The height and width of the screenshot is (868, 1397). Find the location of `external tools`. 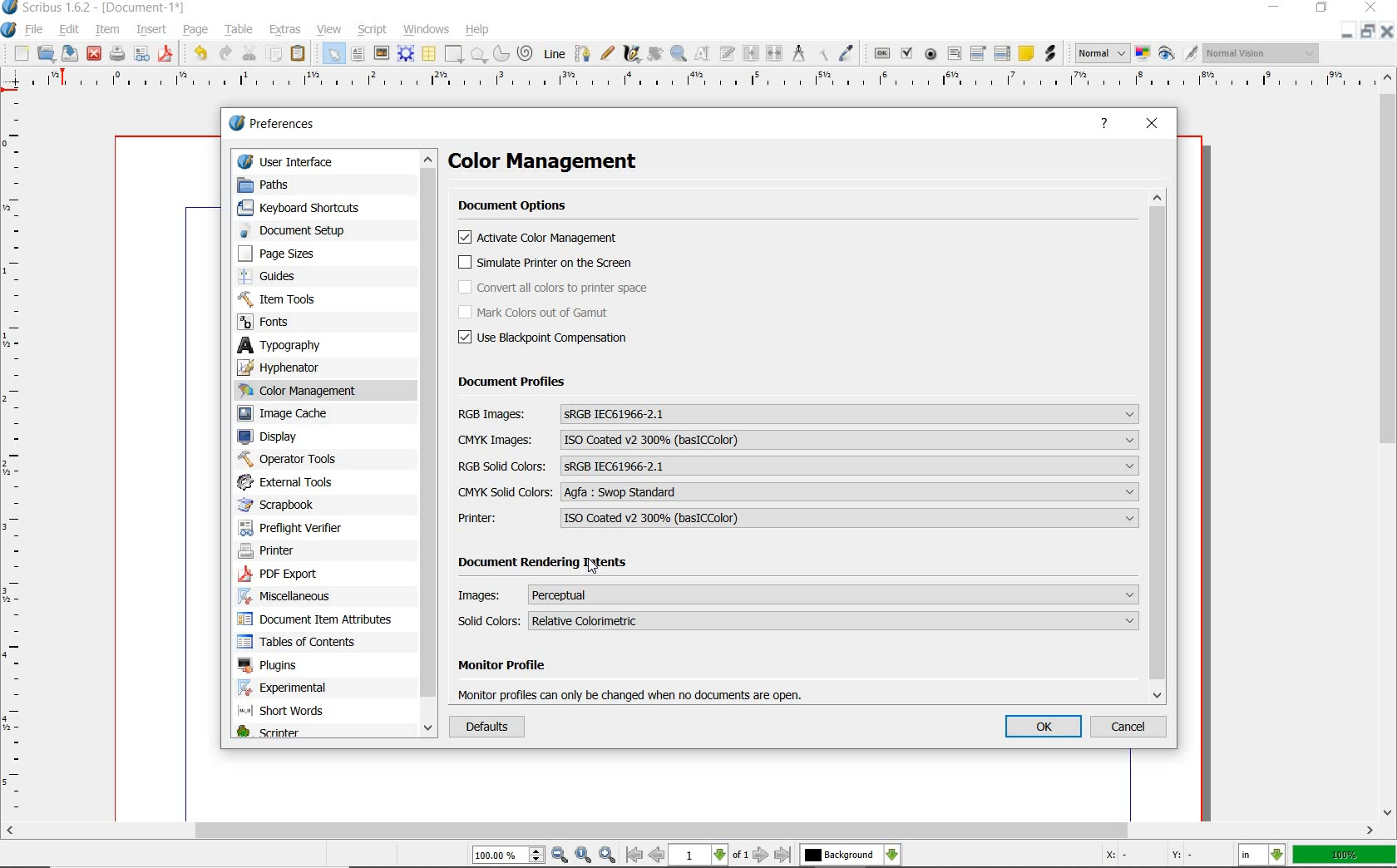

external tools is located at coordinates (290, 482).